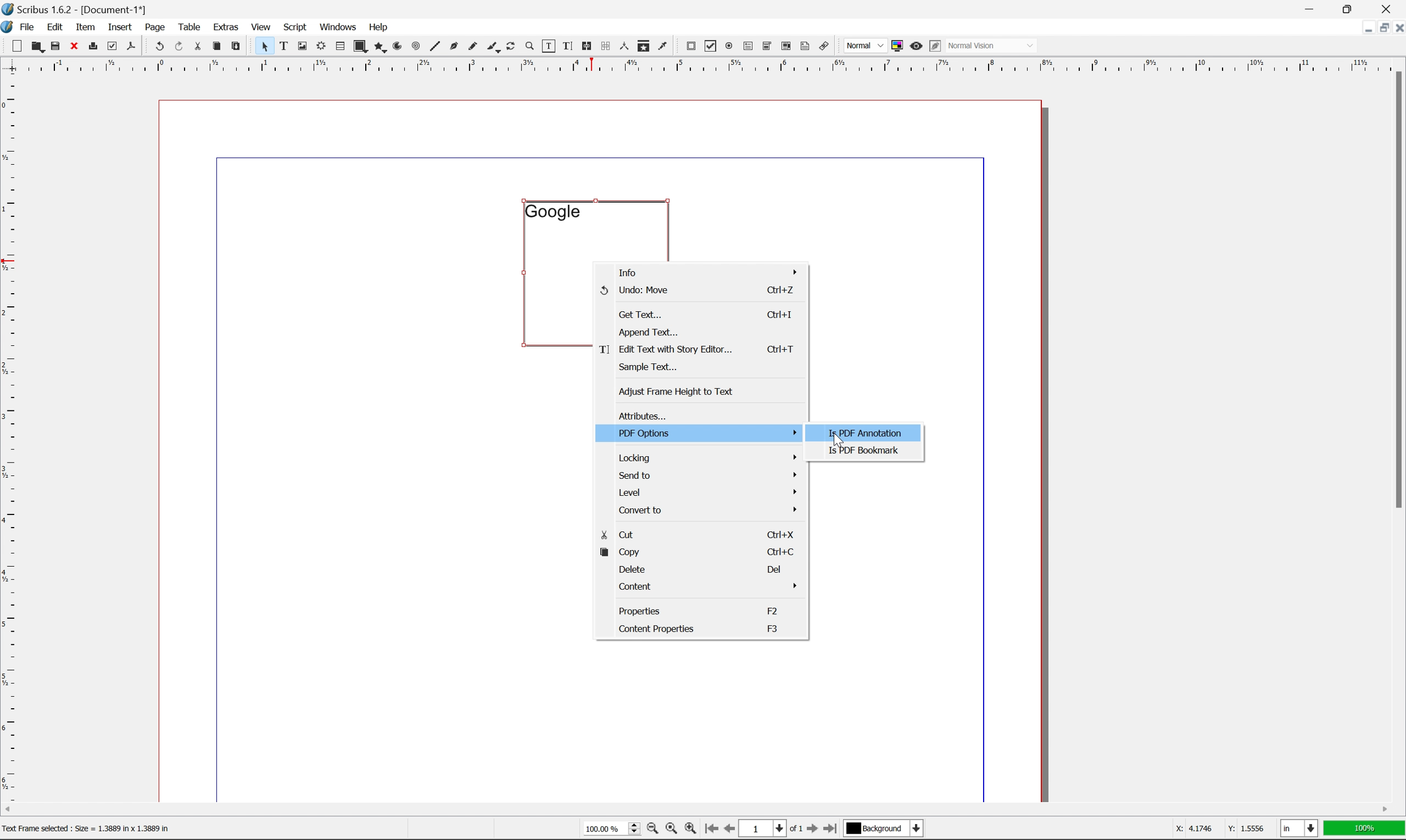 The image size is (1406, 840). Describe the element at coordinates (493, 45) in the screenshot. I see `calligraphy line` at that location.